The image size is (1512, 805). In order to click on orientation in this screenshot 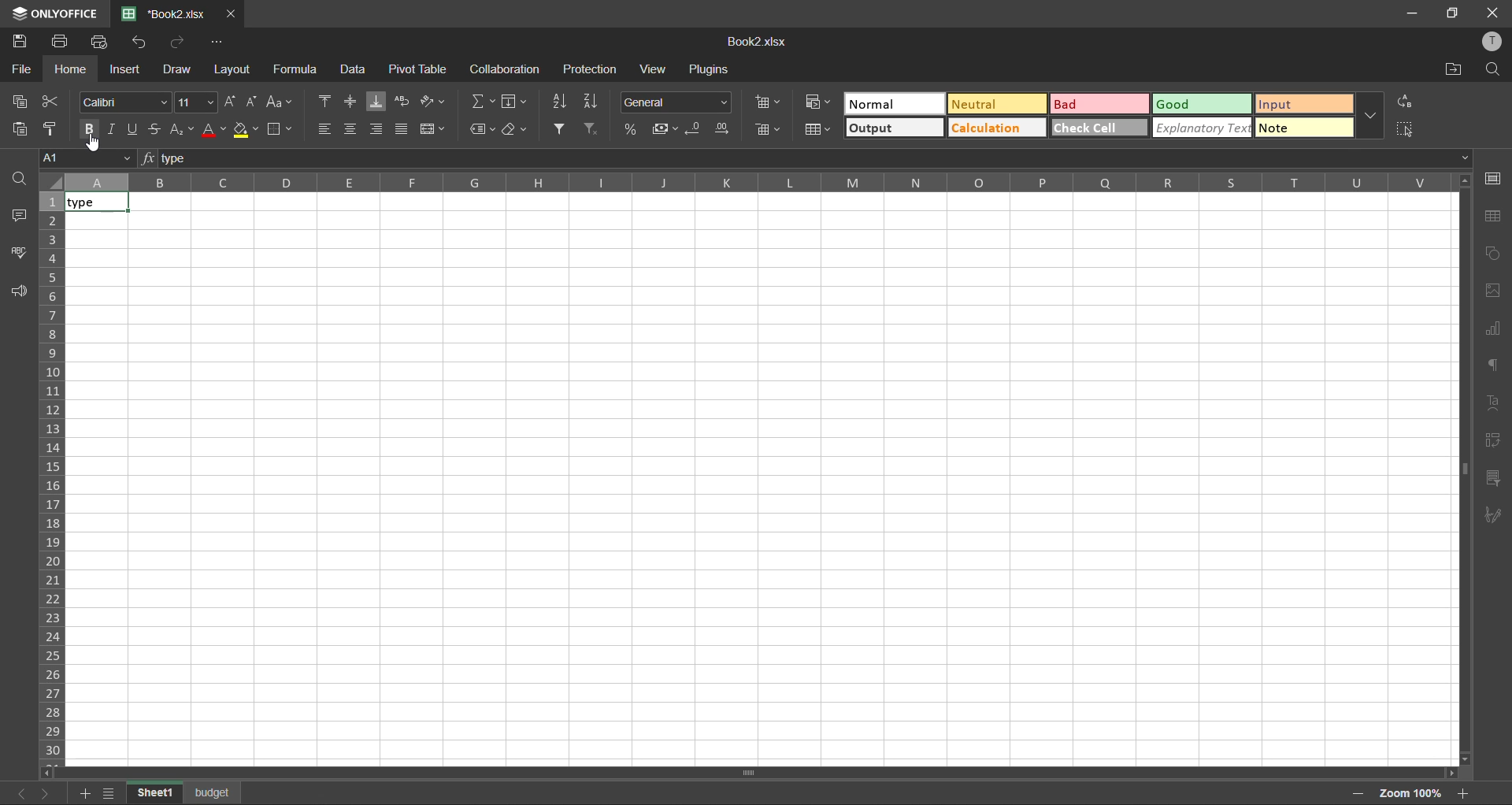, I will do `click(432, 101)`.